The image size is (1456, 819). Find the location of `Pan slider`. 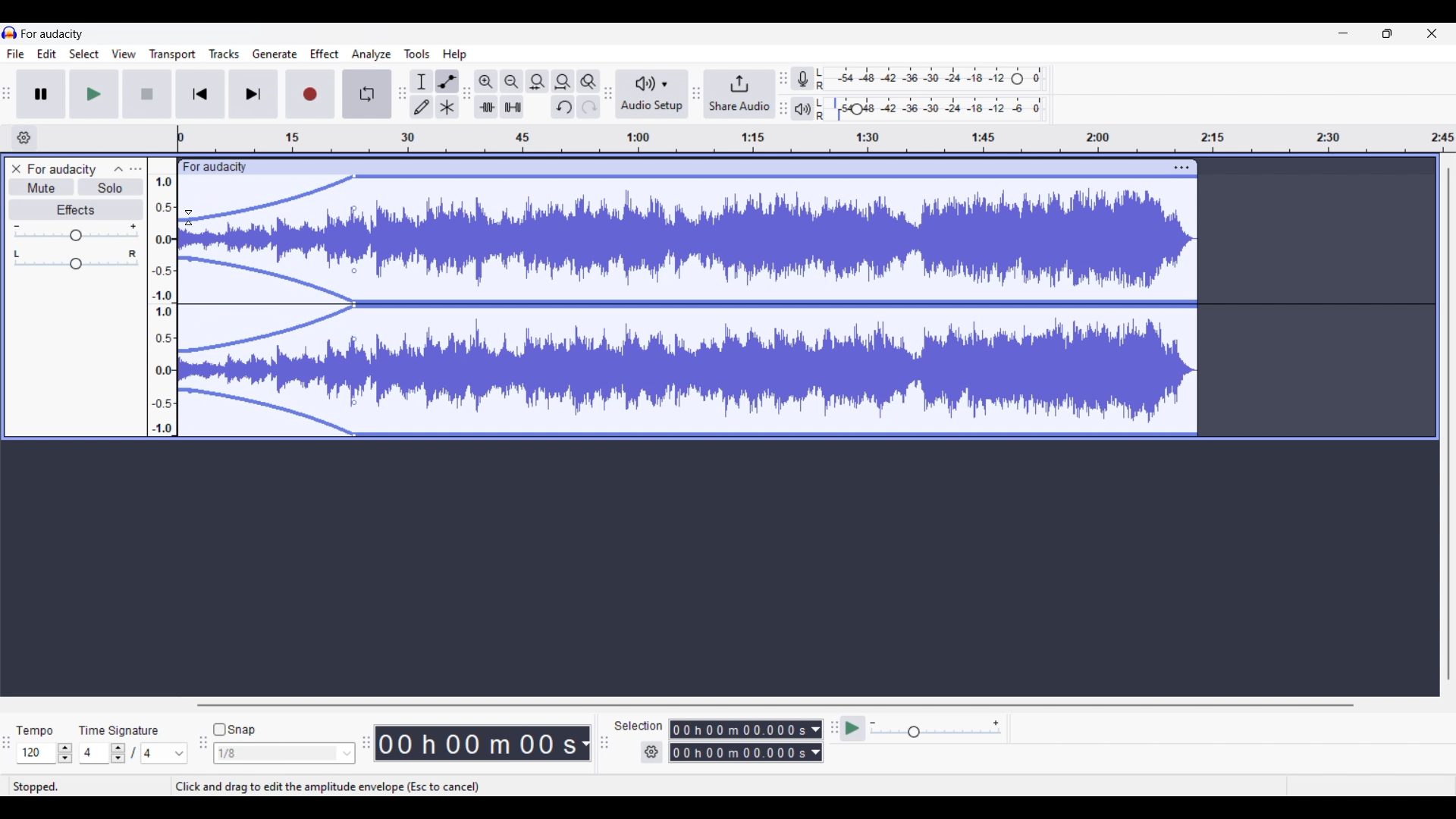

Pan slider is located at coordinates (75, 260).